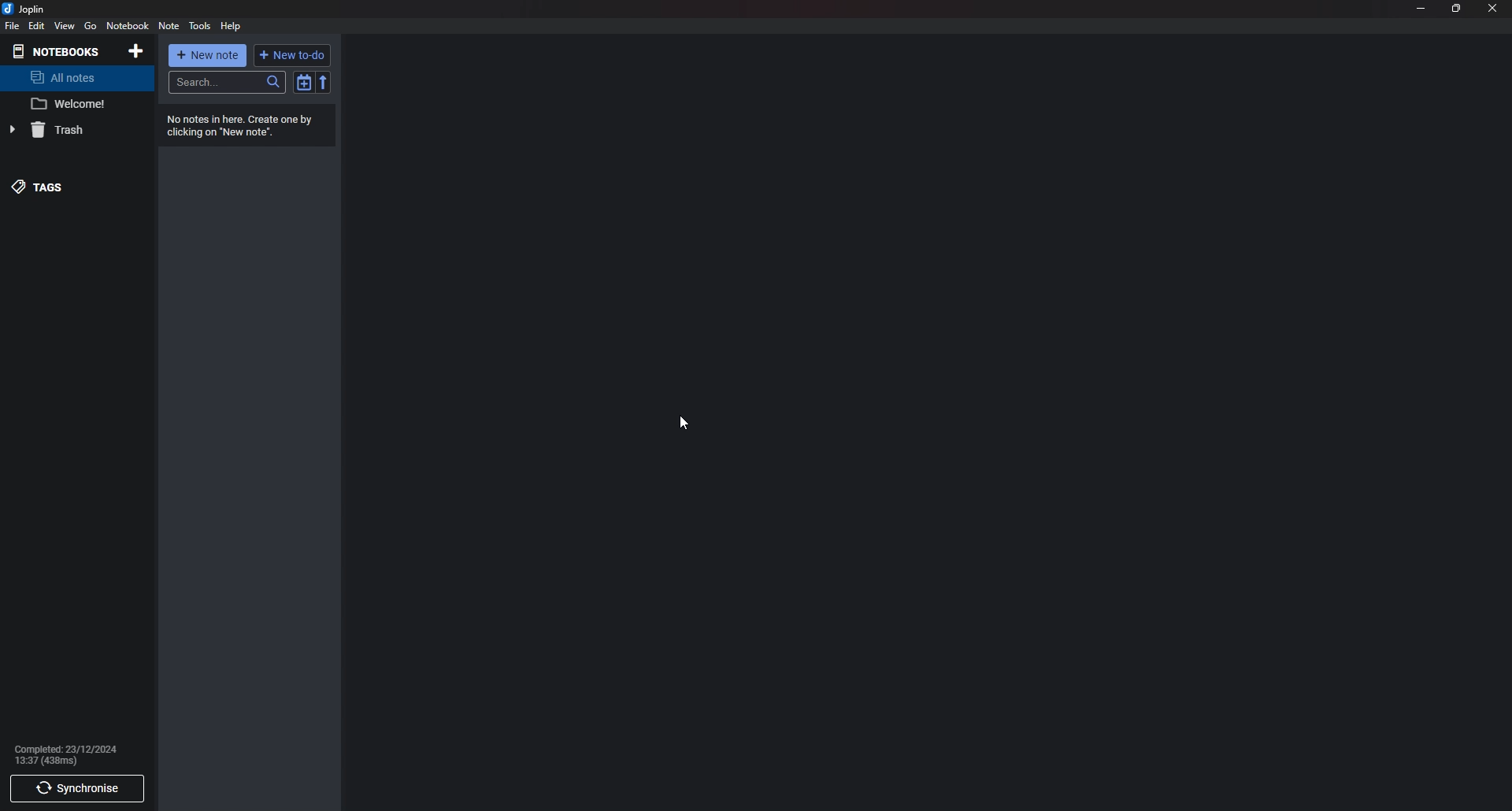  Describe the element at coordinates (201, 27) in the screenshot. I see `Tools` at that location.